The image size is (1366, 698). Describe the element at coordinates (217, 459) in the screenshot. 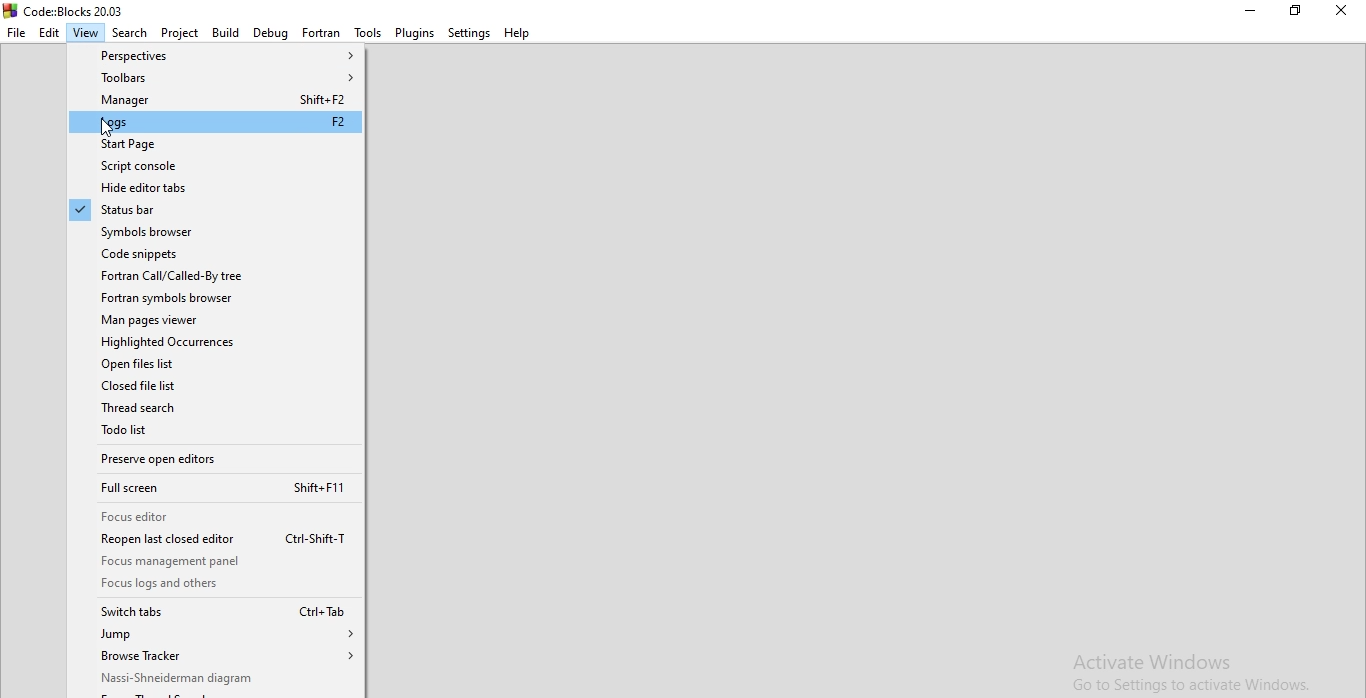

I see `Preserve open editors` at that location.